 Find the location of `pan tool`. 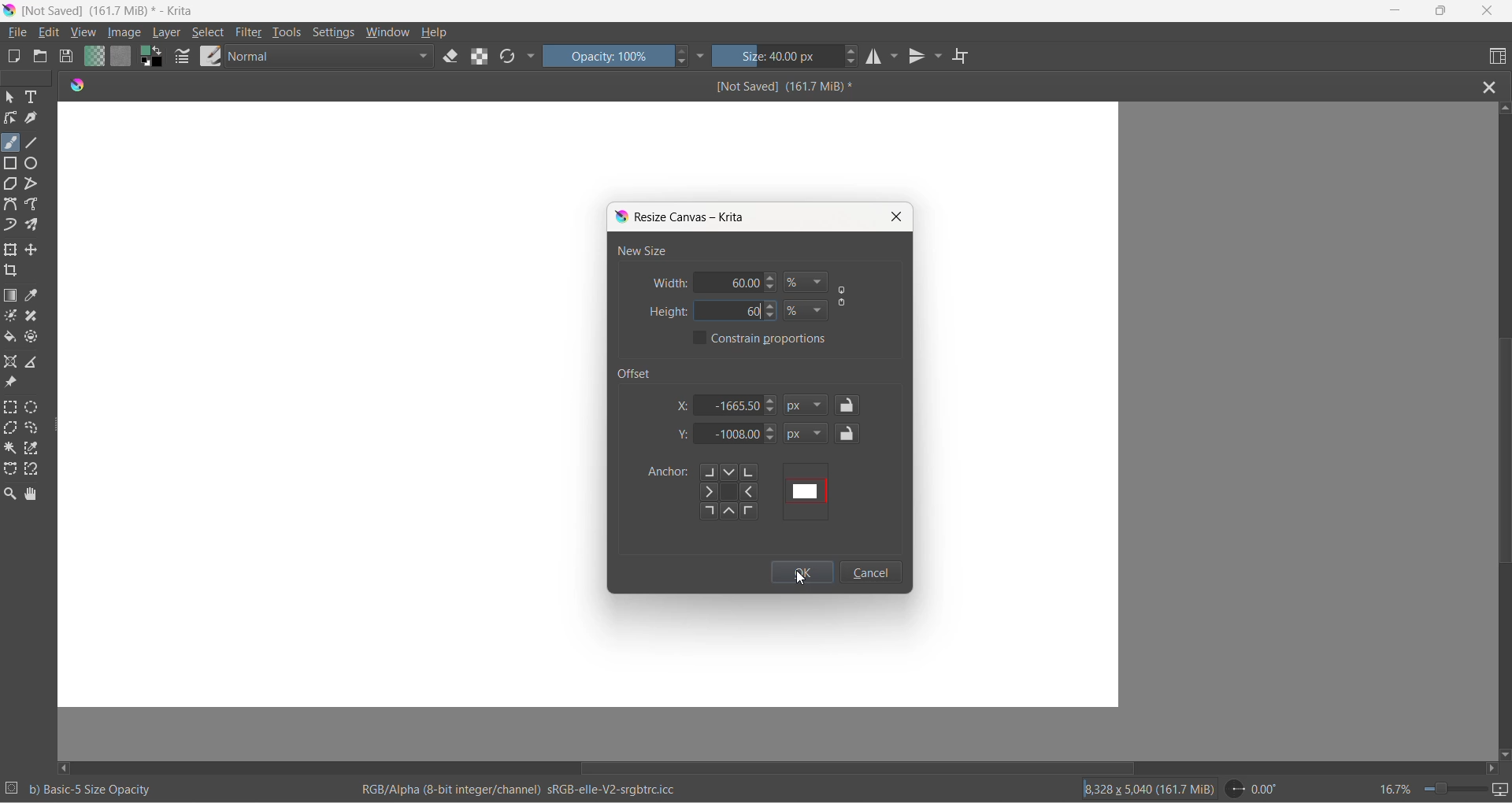

pan tool is located at coordinates (31, 495).